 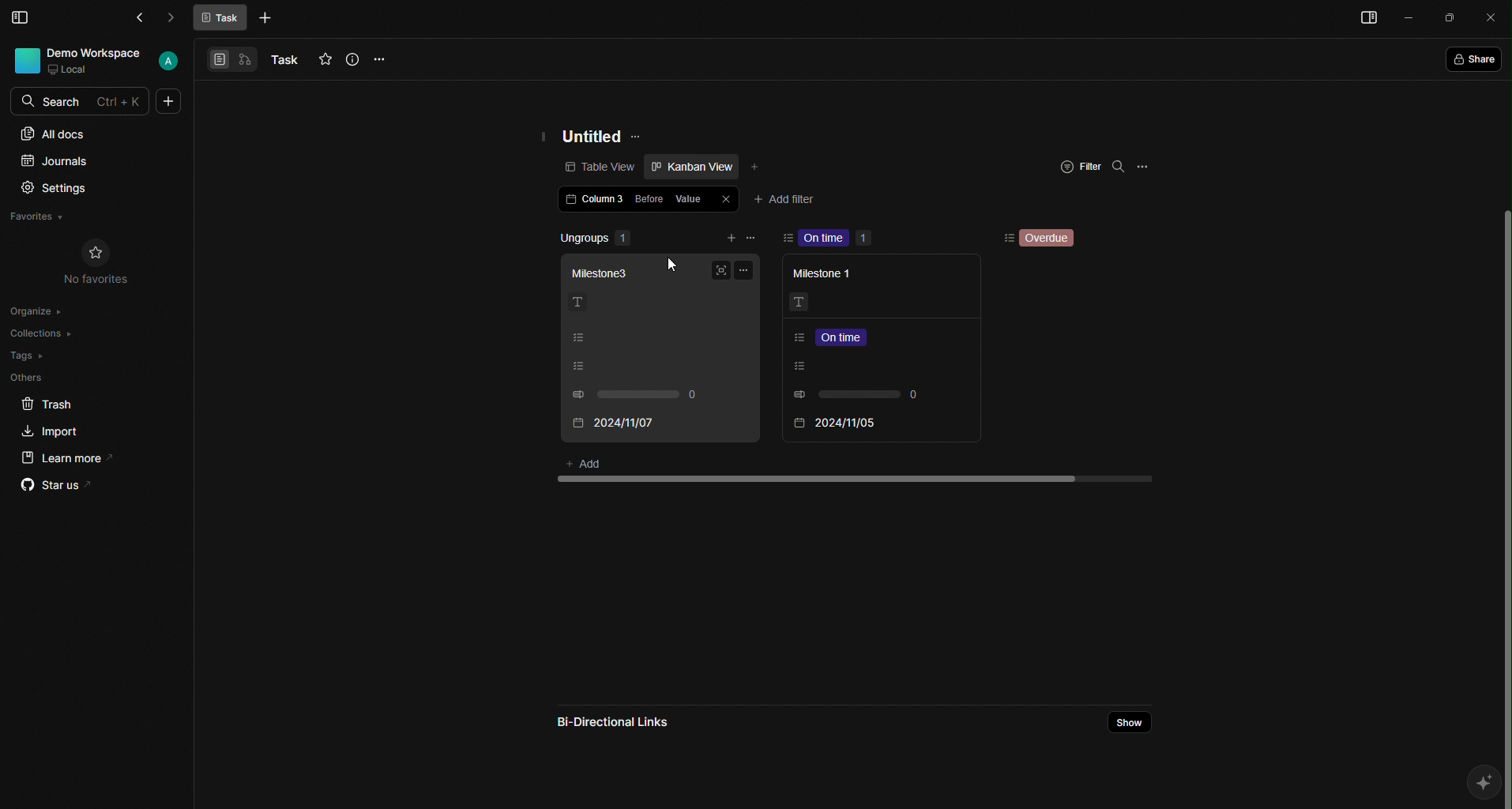 I want to click on sort, so click(x=788, y=238).